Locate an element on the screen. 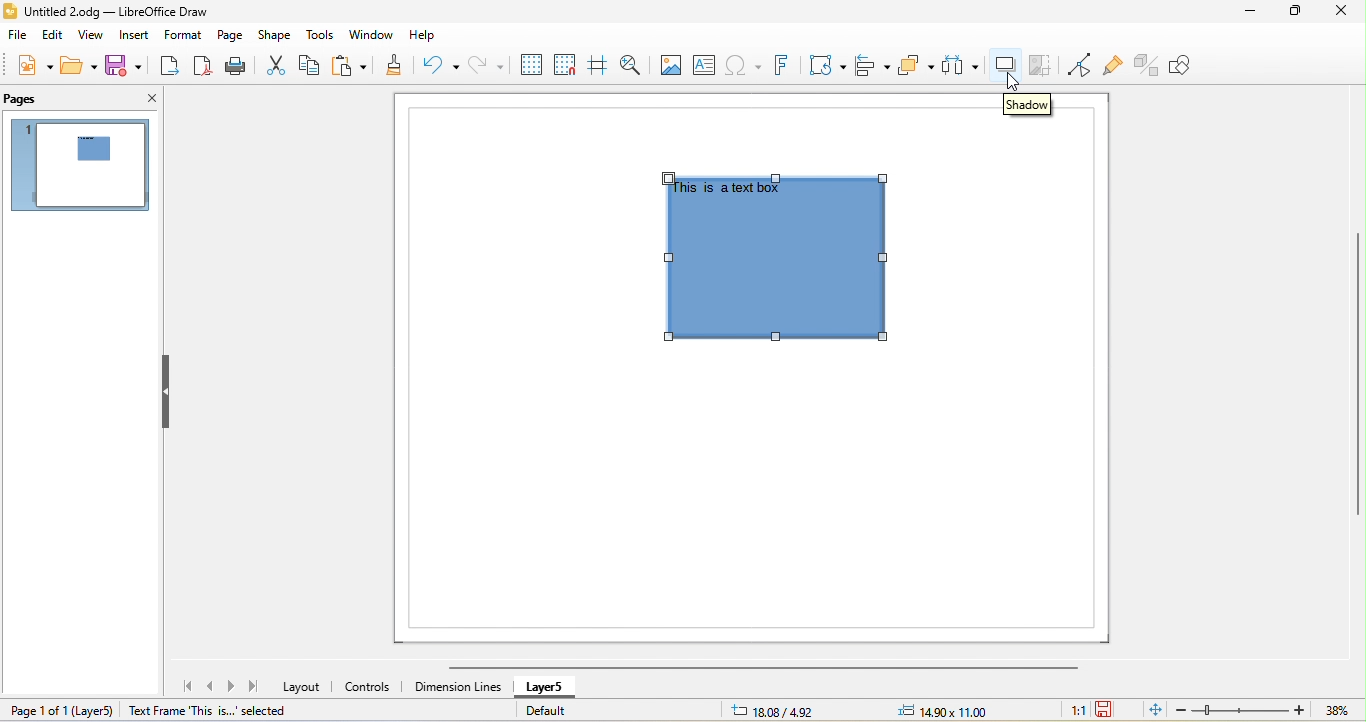 This screenshot has height=722, width=1366. view is located at coordinates (94, 37).